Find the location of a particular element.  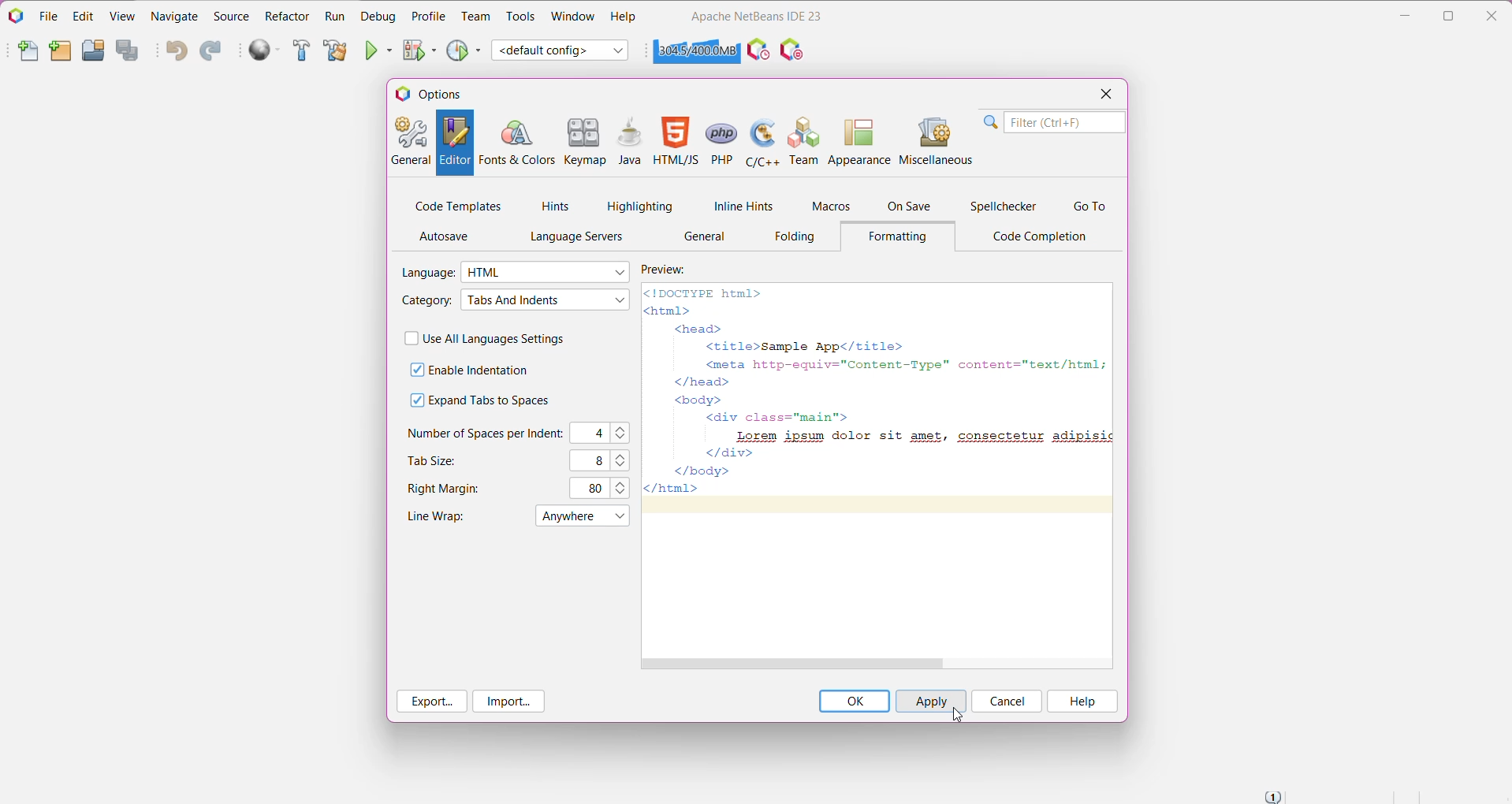

Line Wrap set to 'Anywhere' is located at coordinates (433, 516).